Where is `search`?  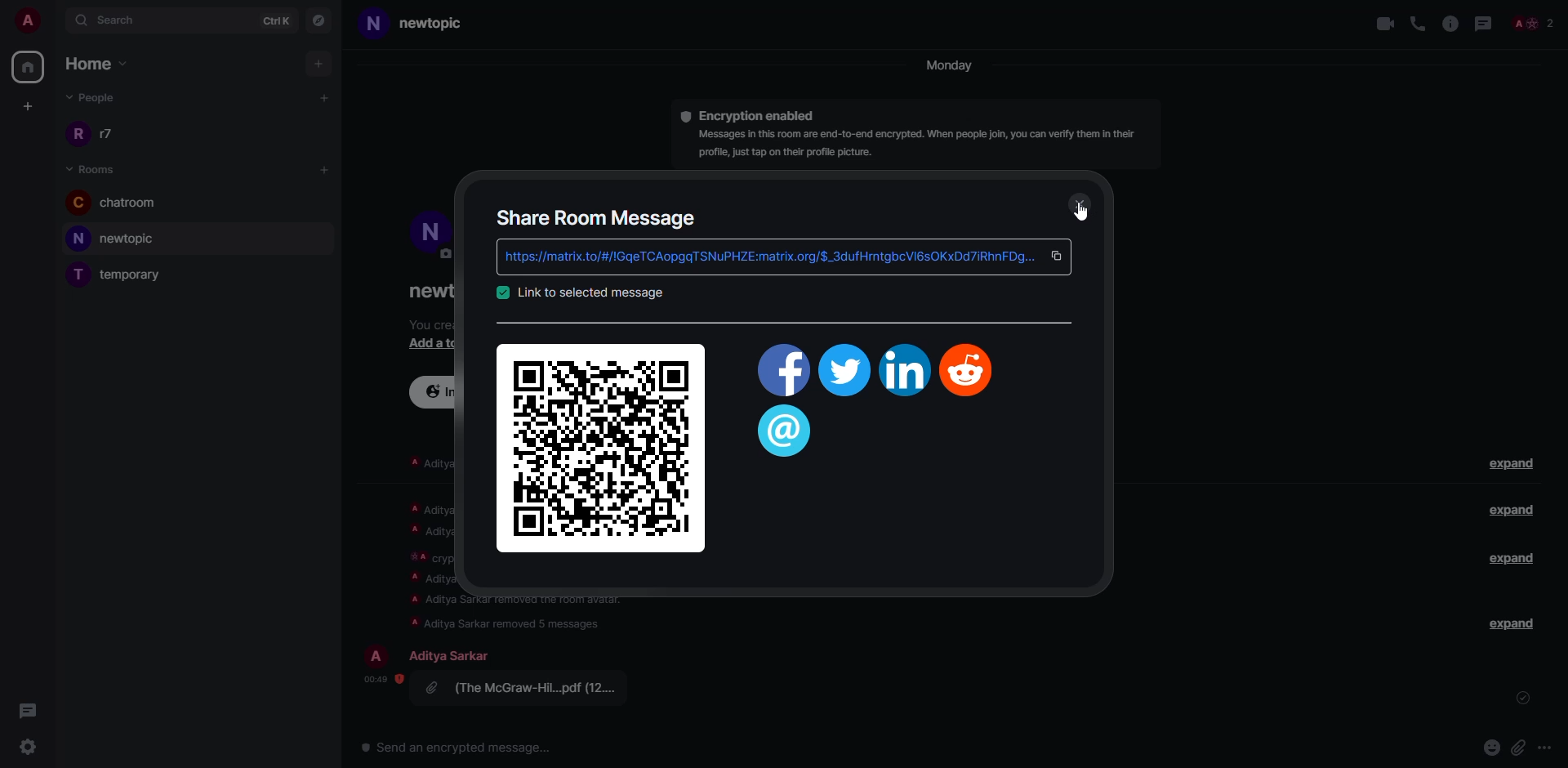
search is located at coordinates (109, 19).